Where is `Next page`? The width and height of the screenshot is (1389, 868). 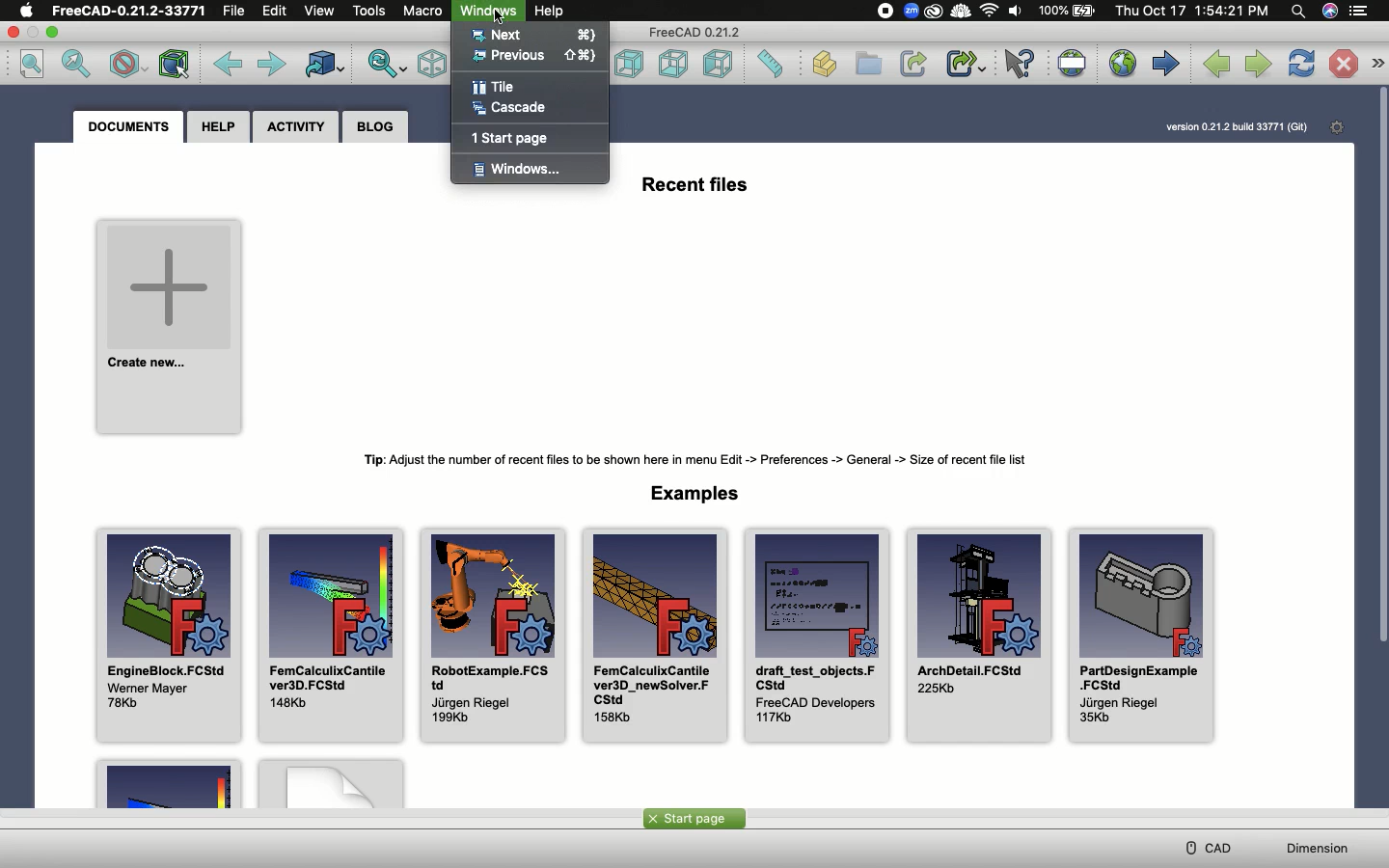
Next page is located at coordinates (1259, 64).